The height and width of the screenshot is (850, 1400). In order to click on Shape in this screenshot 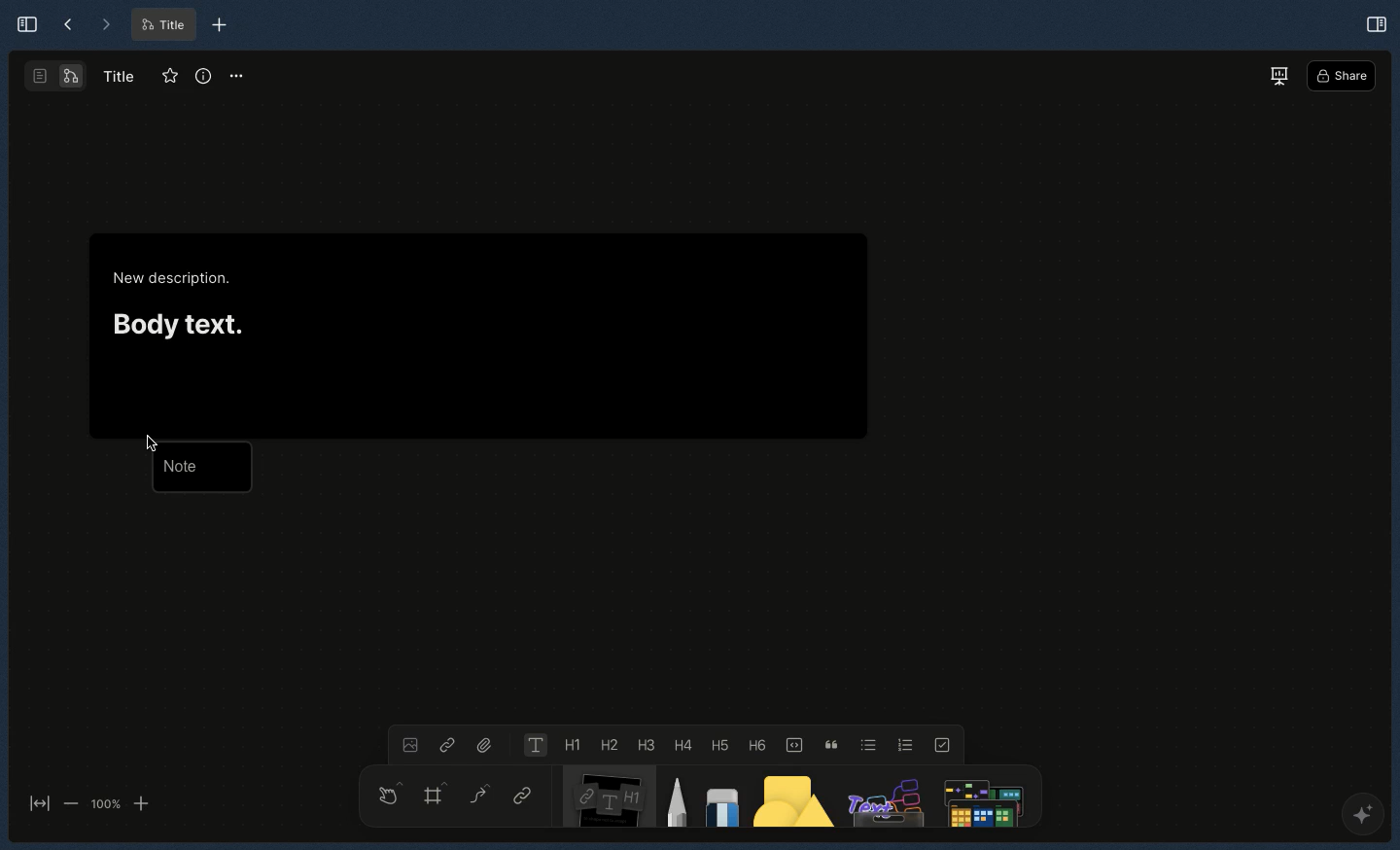, I will do `click(794, 800)`.